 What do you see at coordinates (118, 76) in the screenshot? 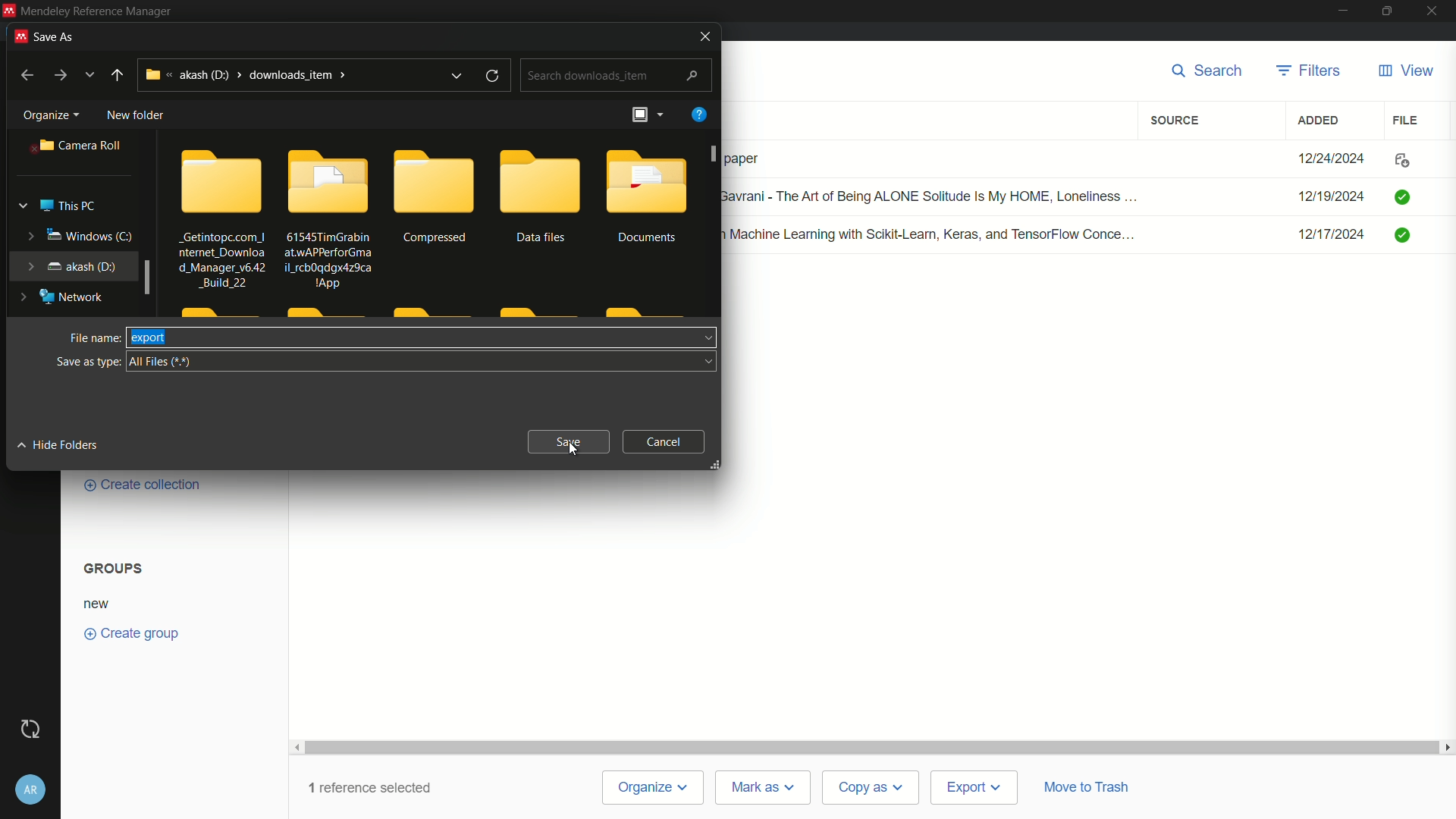
I see `back` at bounding box center [118, 76].